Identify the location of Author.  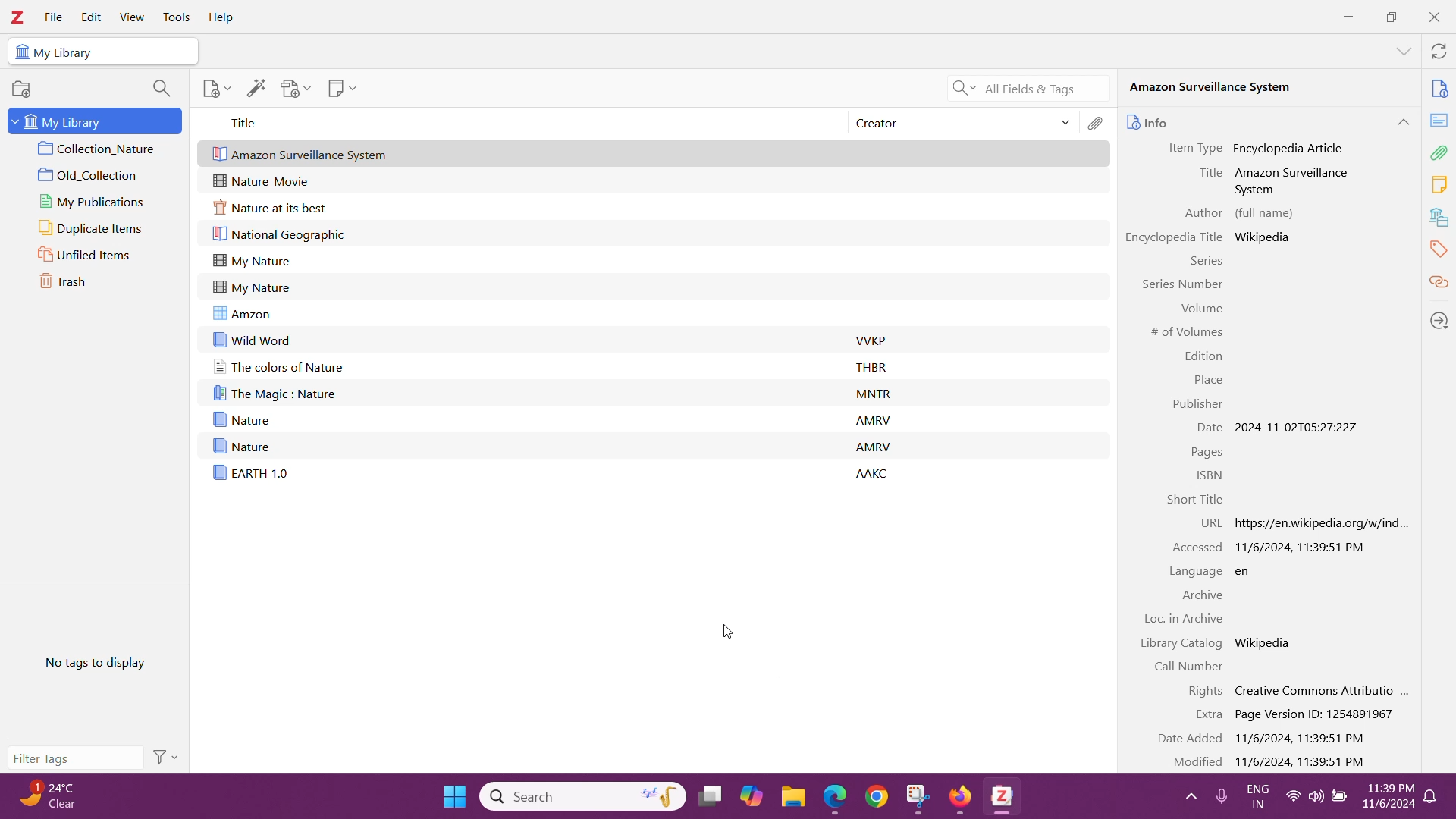
(1201, 212).